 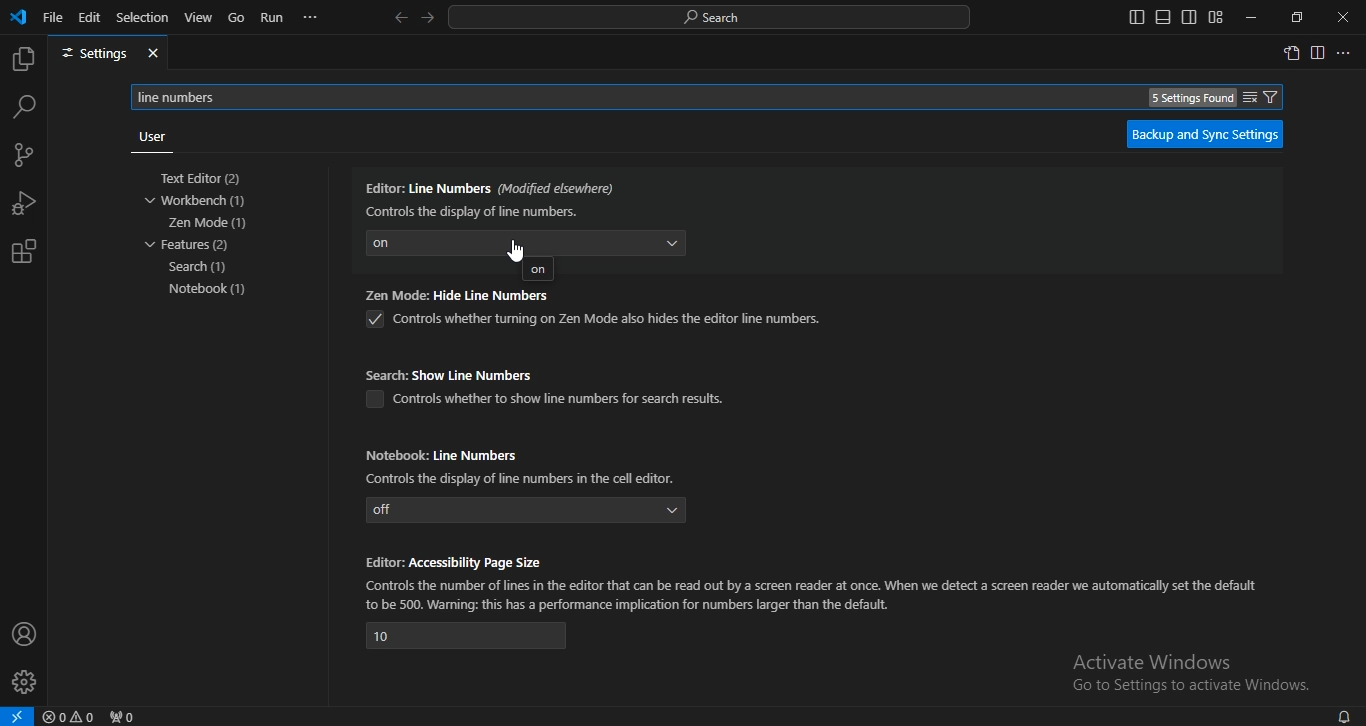 What do you see at coordinates (25, 633) in the screenshot?
I see `accounts` at bounding box center [25, 633].